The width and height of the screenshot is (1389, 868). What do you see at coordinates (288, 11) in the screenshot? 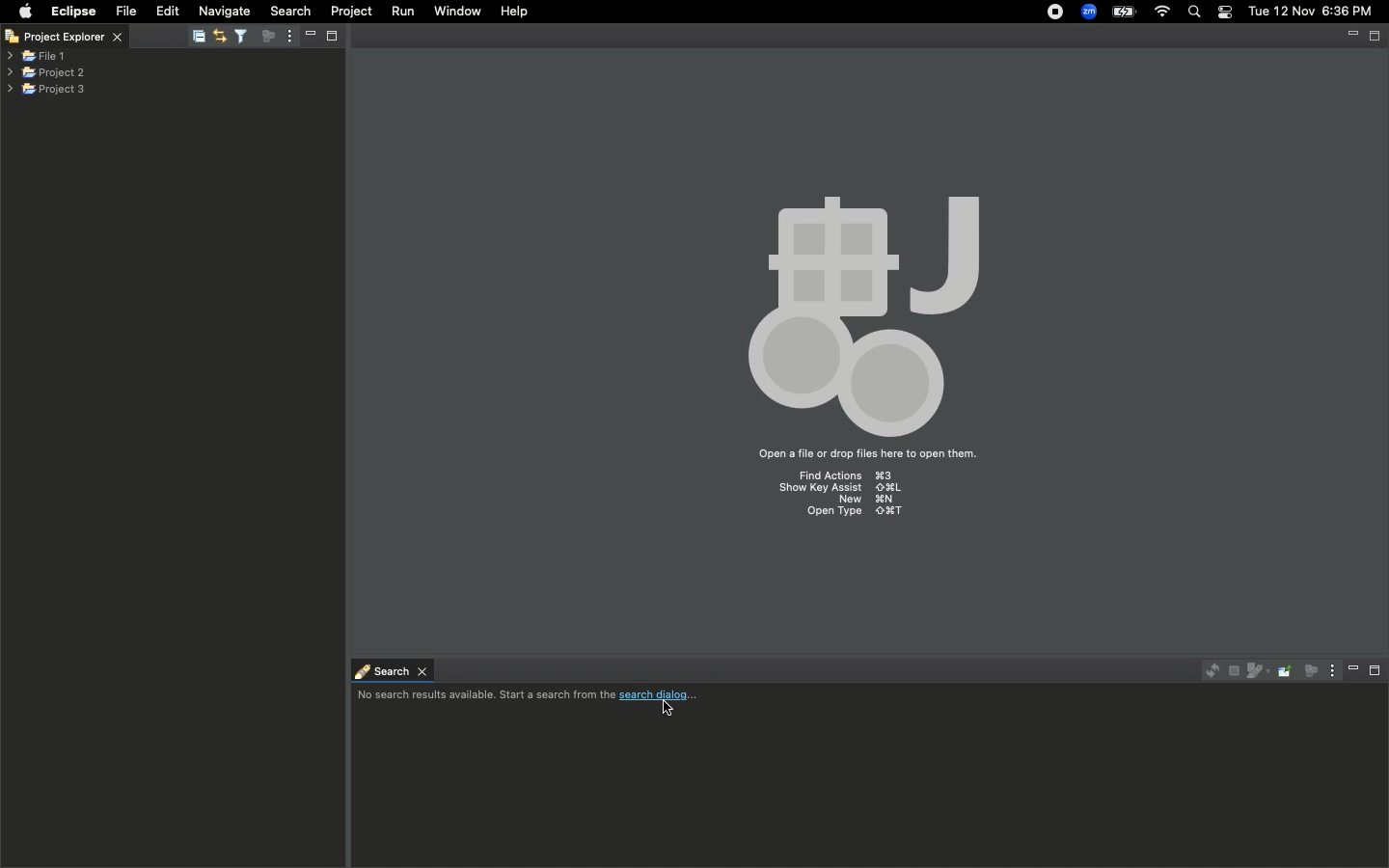
I see `Search` at bounding box center [288, 11].